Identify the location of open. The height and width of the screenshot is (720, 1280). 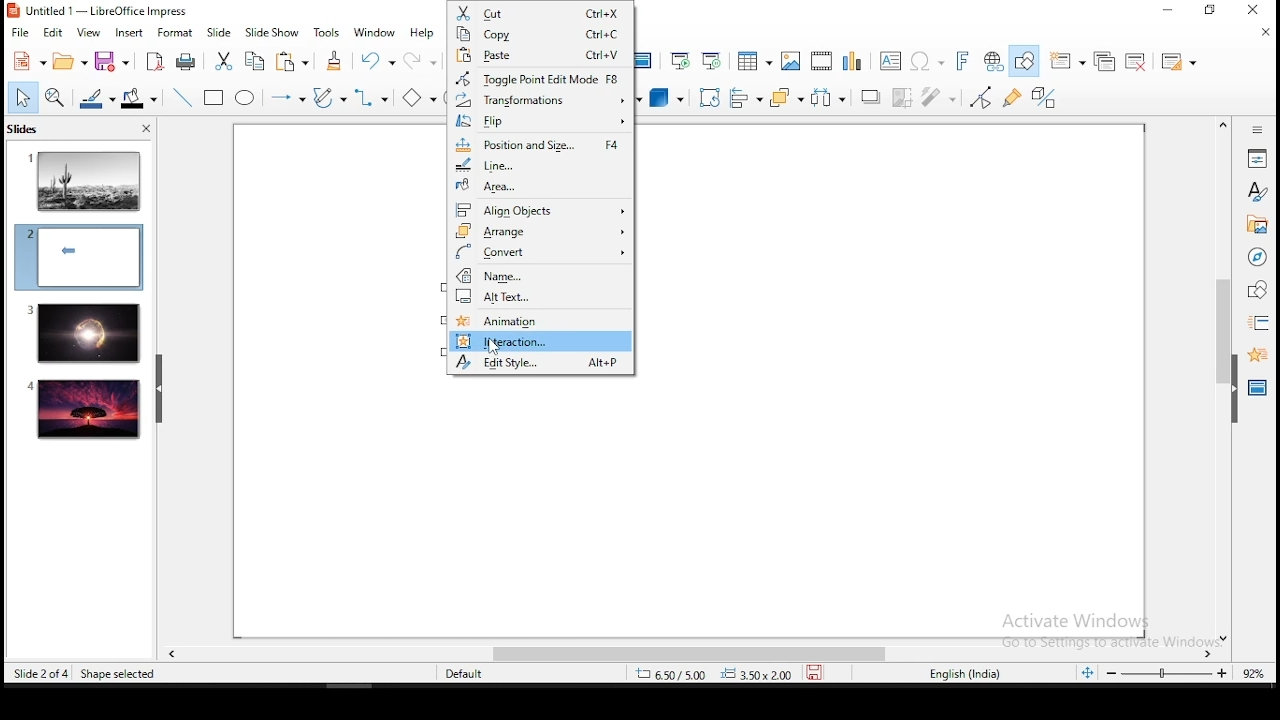
(71, 62).